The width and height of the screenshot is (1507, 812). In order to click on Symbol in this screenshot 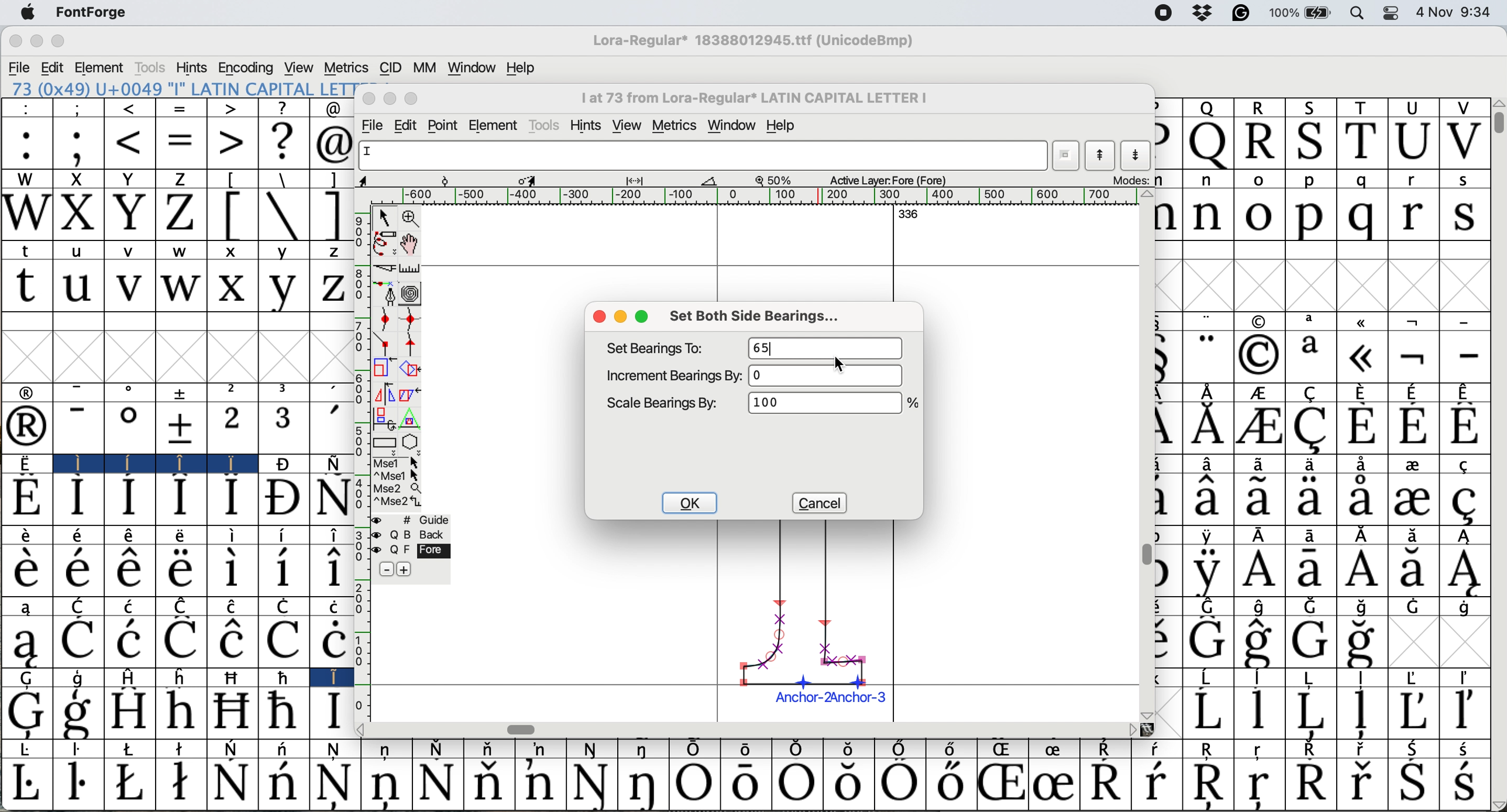, I will do `click(180, 712)`.